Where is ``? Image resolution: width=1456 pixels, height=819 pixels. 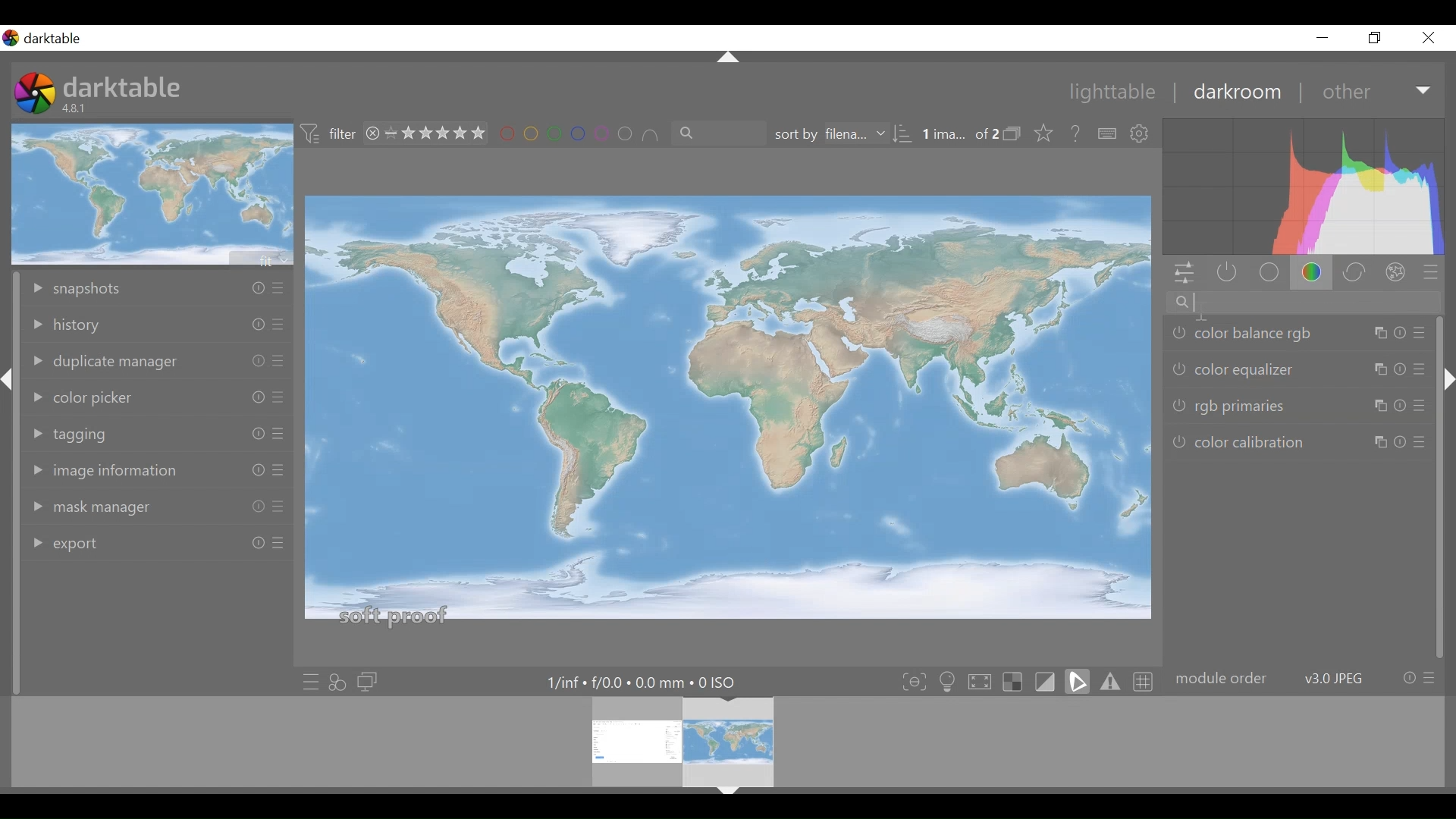  is located at coordinates (1387, 370).